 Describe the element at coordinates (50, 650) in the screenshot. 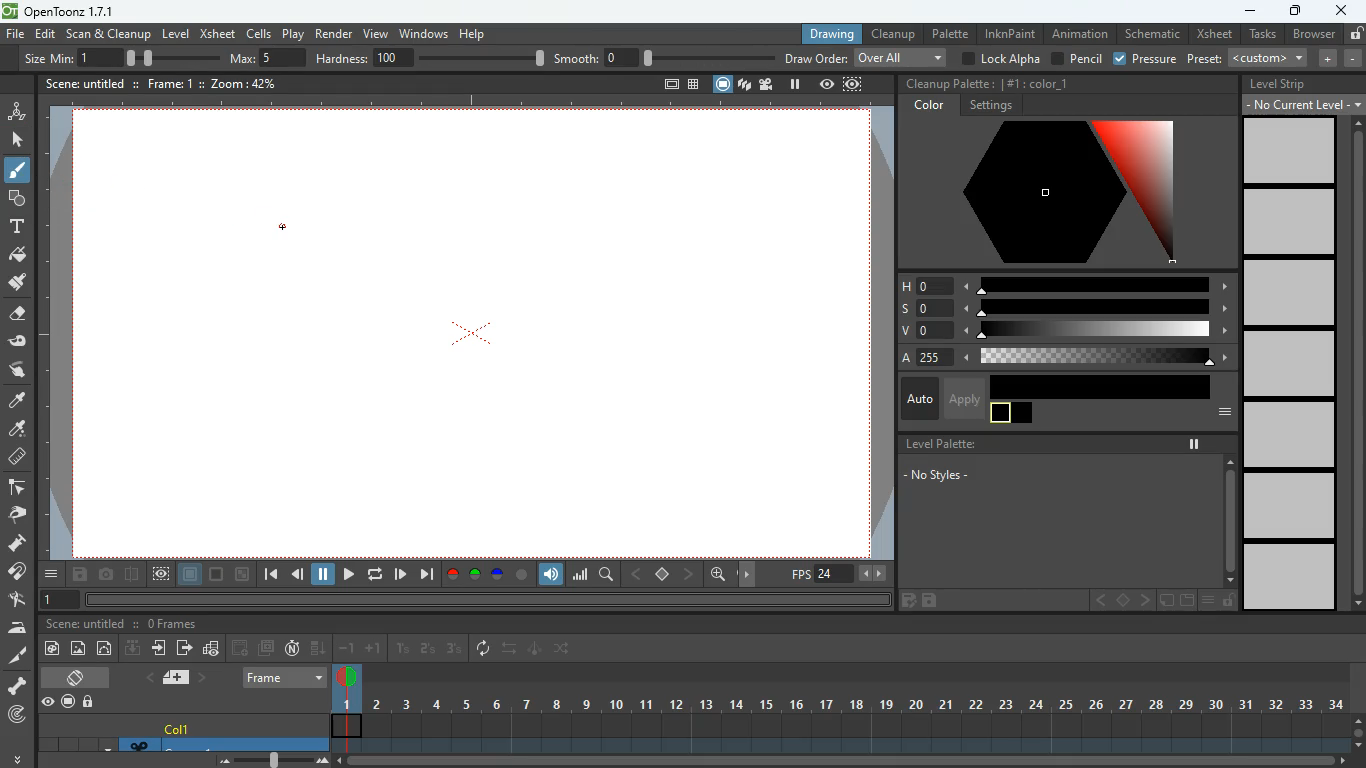

I see `paint` at that location.